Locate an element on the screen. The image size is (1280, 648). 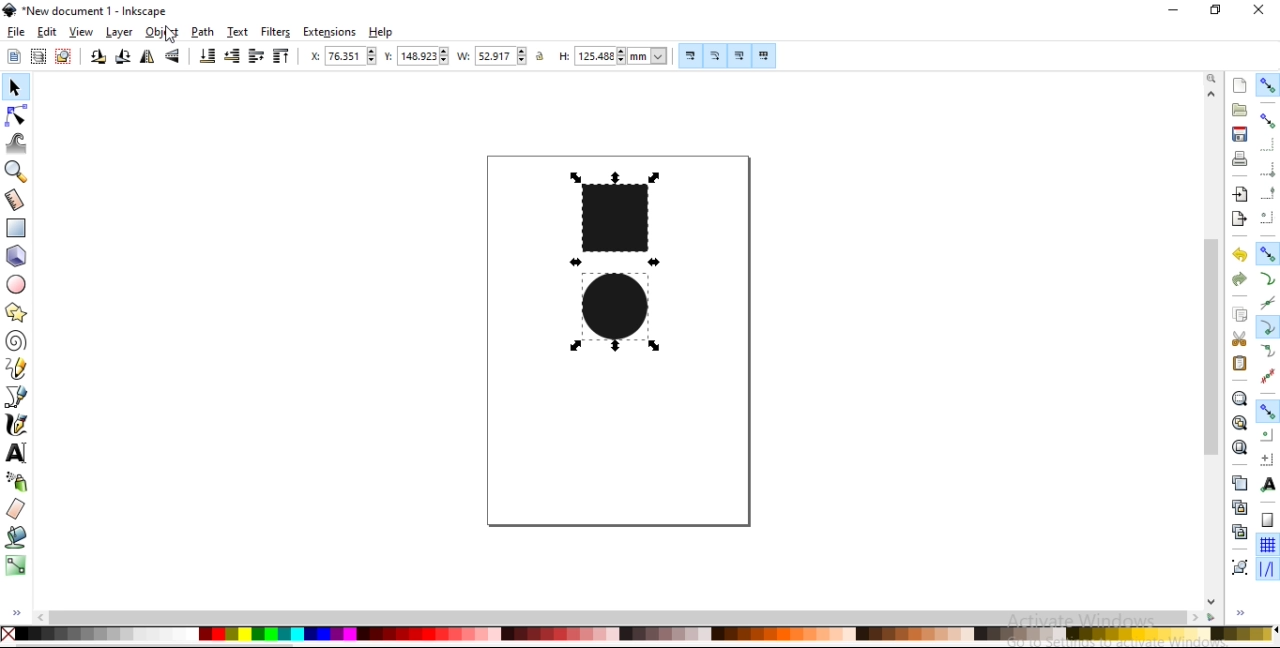
restore down is located at coordinates (1216, 10).